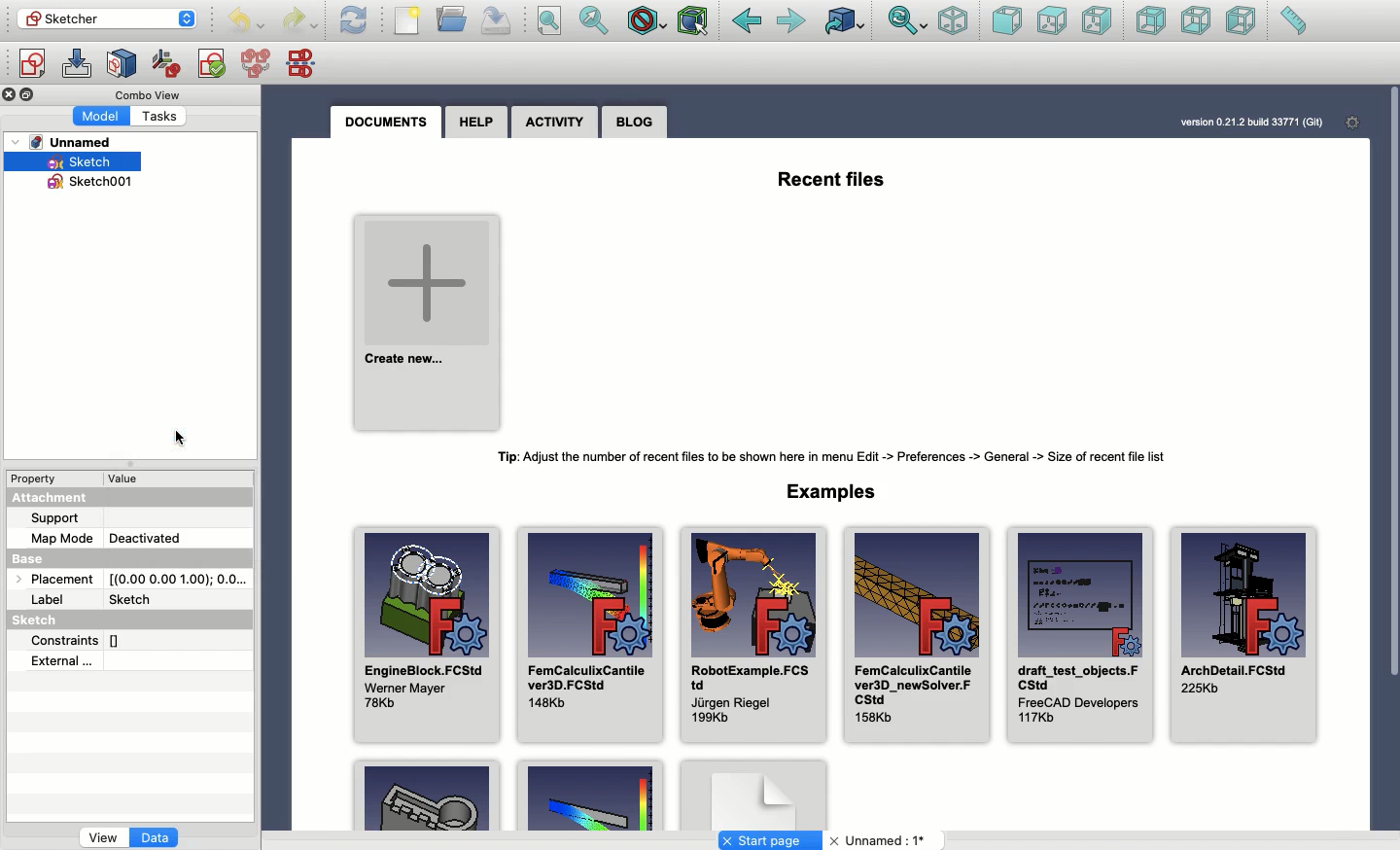  Describe the element at coordinates (476, 122) in the screenshot. I see `Help` at that location.